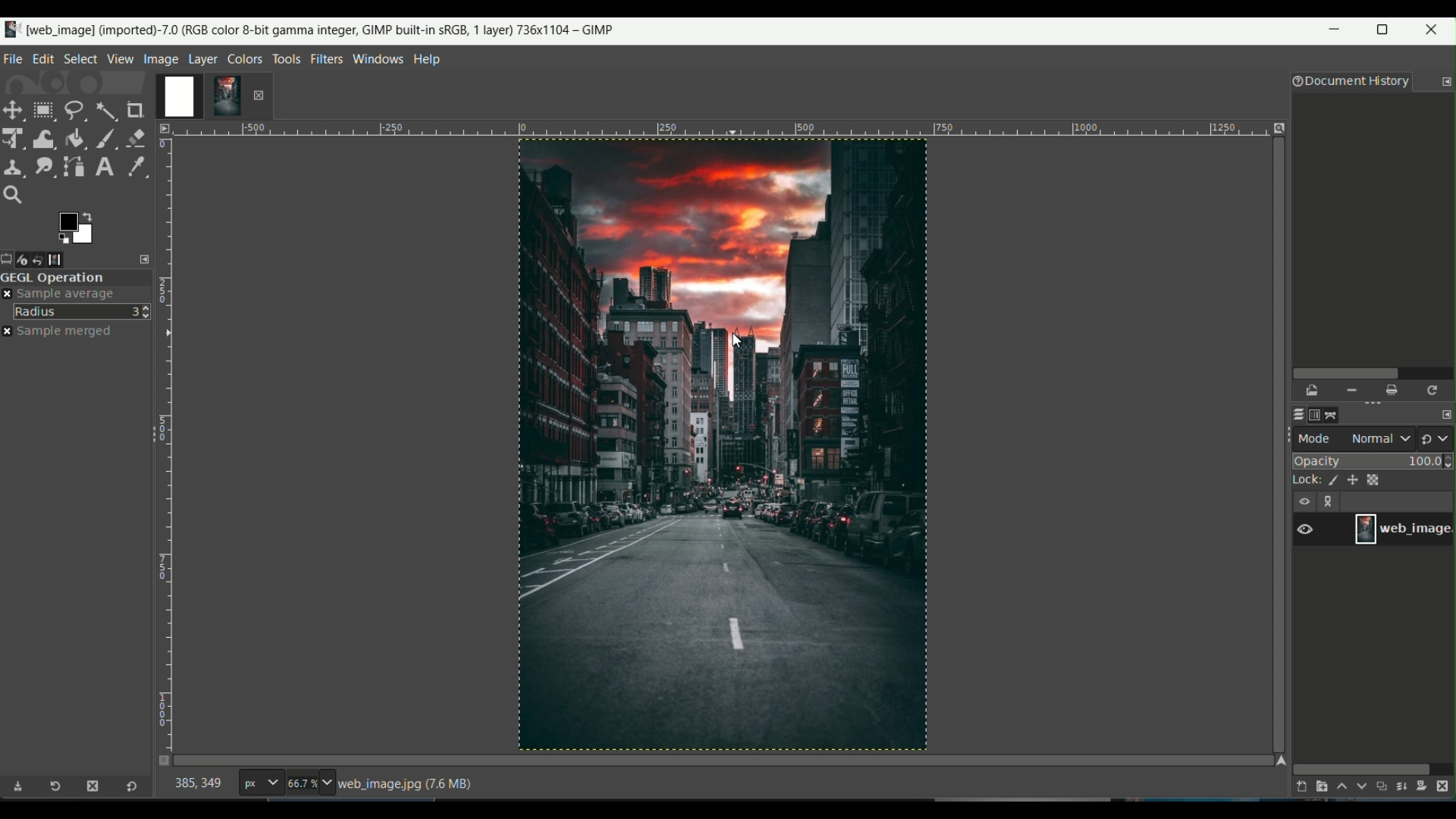  Describe the element at coordinates (137, 136) in the screenshot. I see `eraser tool` at that location.